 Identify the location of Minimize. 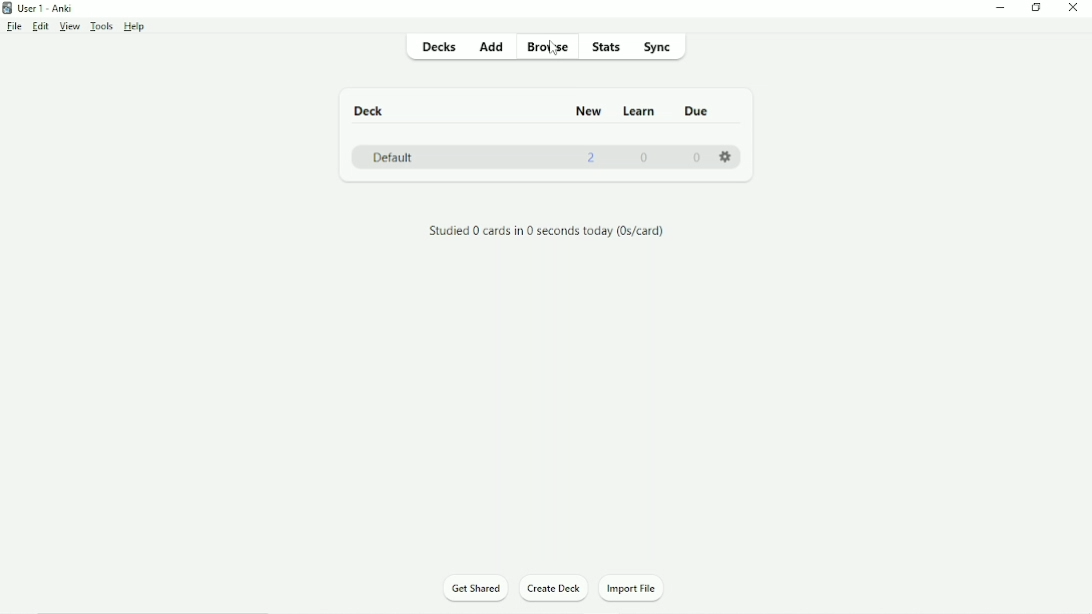
(1001, 8).